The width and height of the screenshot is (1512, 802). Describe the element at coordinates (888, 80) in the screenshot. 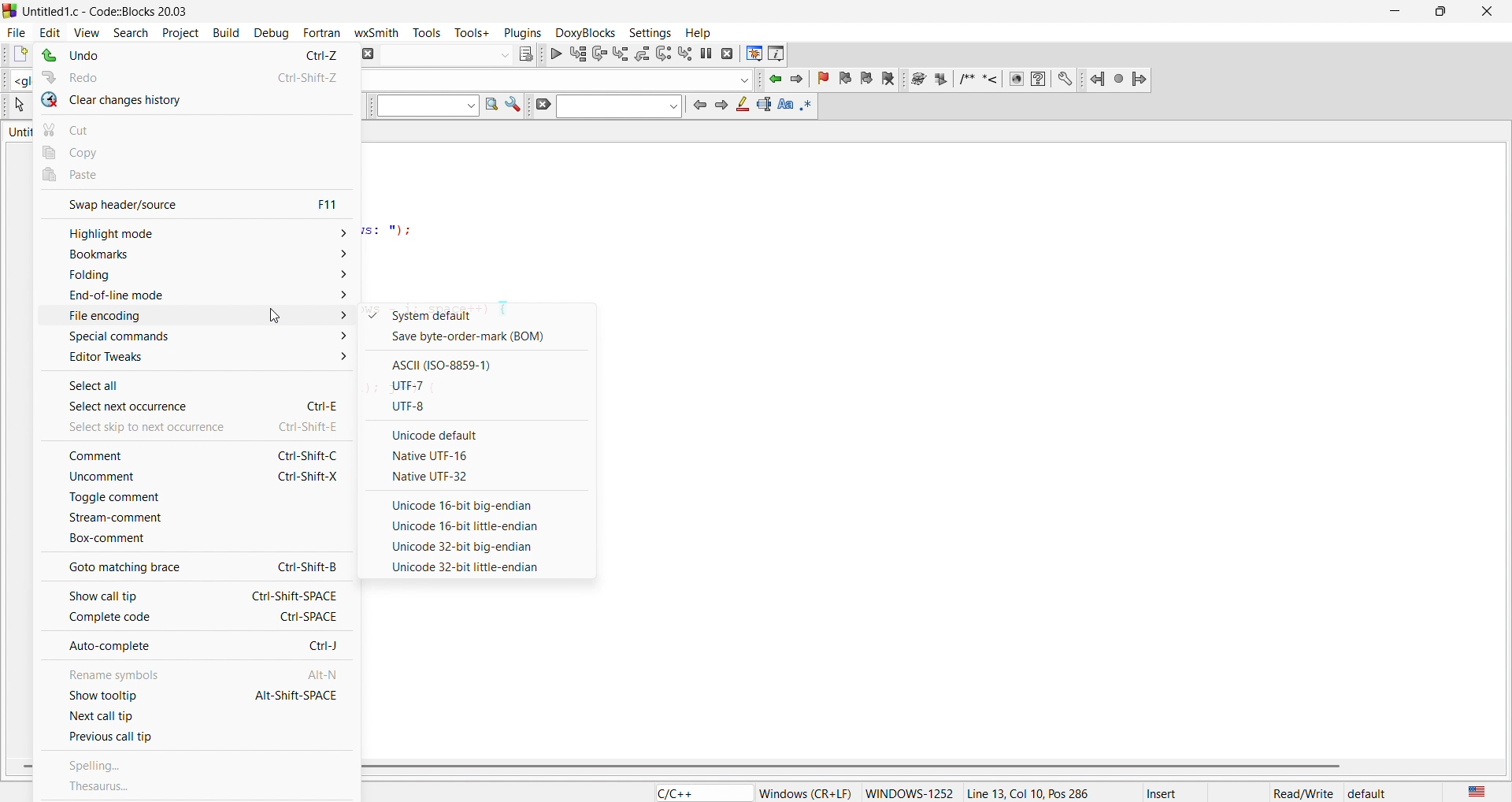

I see `Clear bookmark` at that location.